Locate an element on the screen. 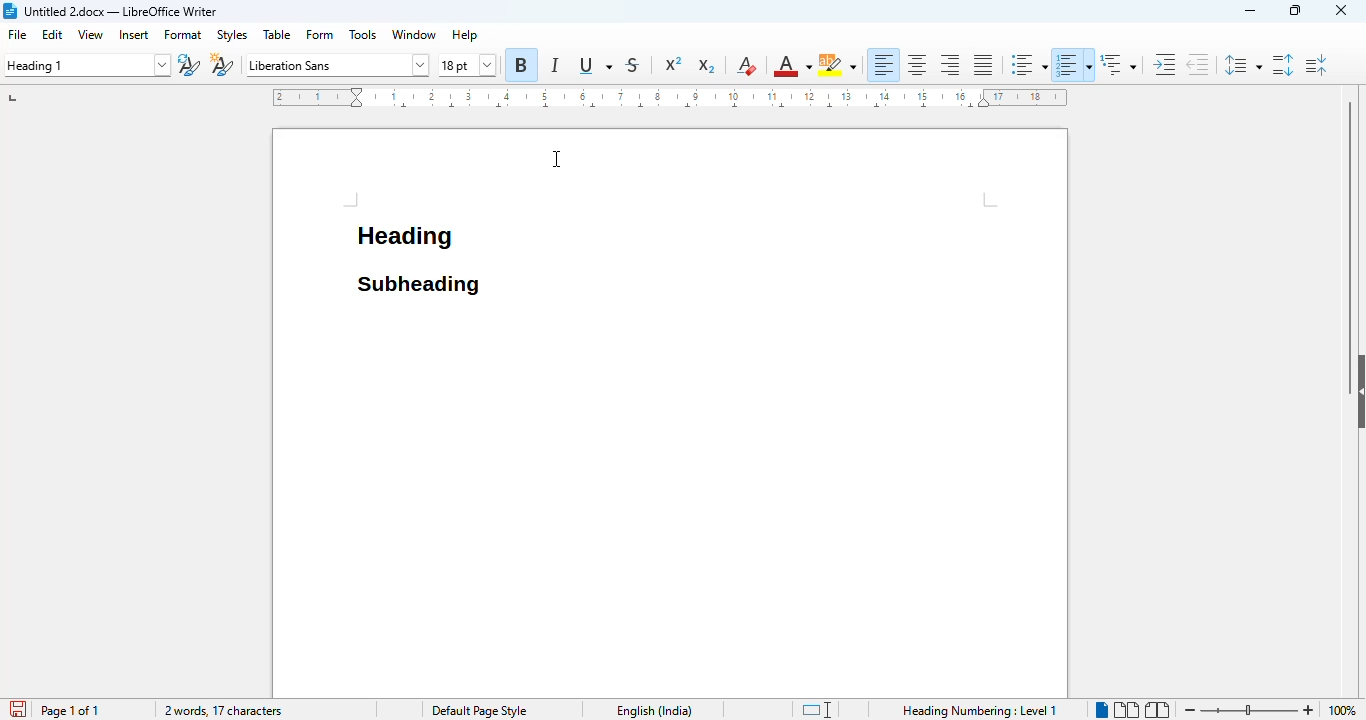 The image size is (1366, 720). logo is located at coordinates (10, 11).